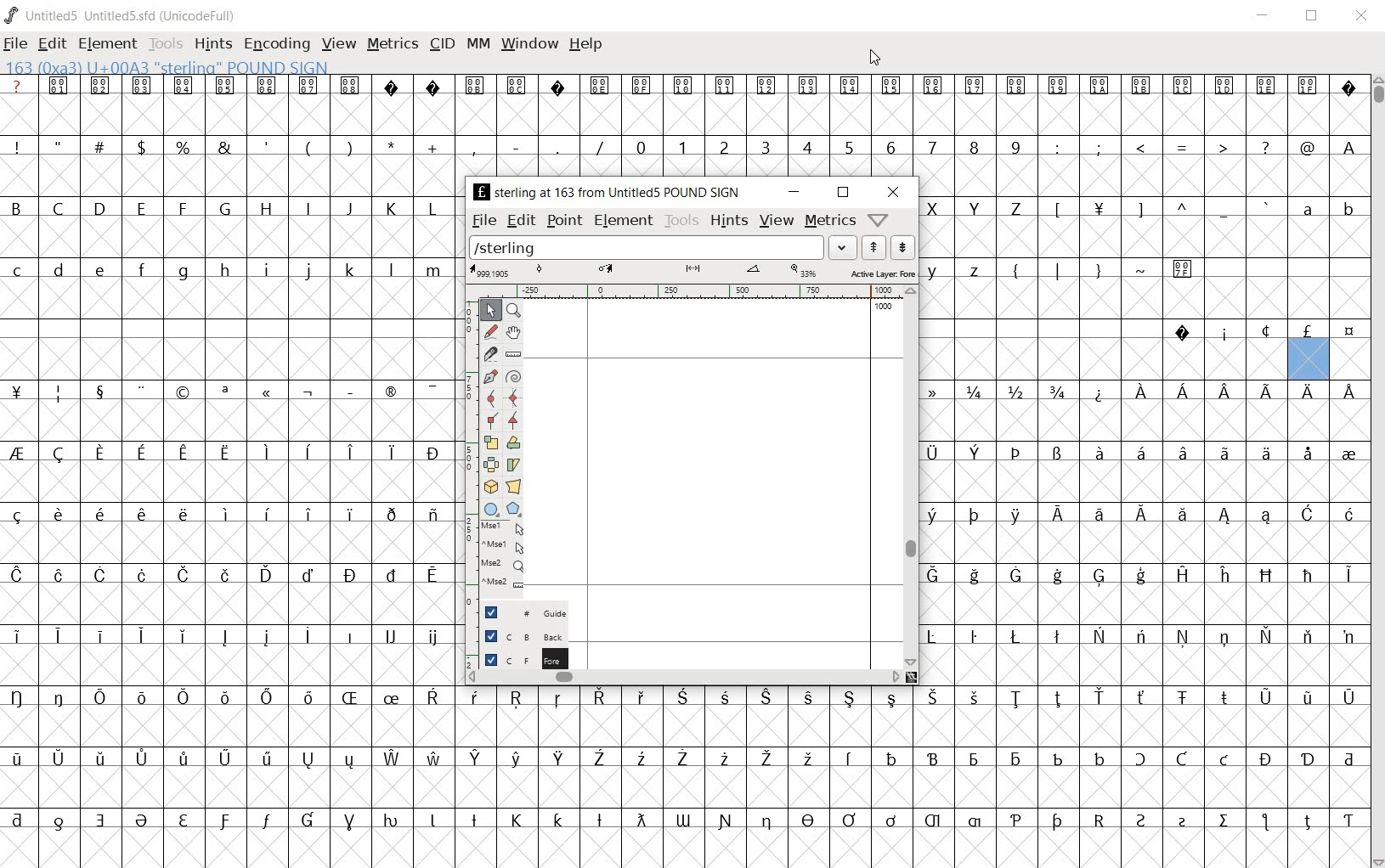 The height and width of the screenshot is (868, 1385). I want to click on Rectangle/ellipse, so click(493, 509).